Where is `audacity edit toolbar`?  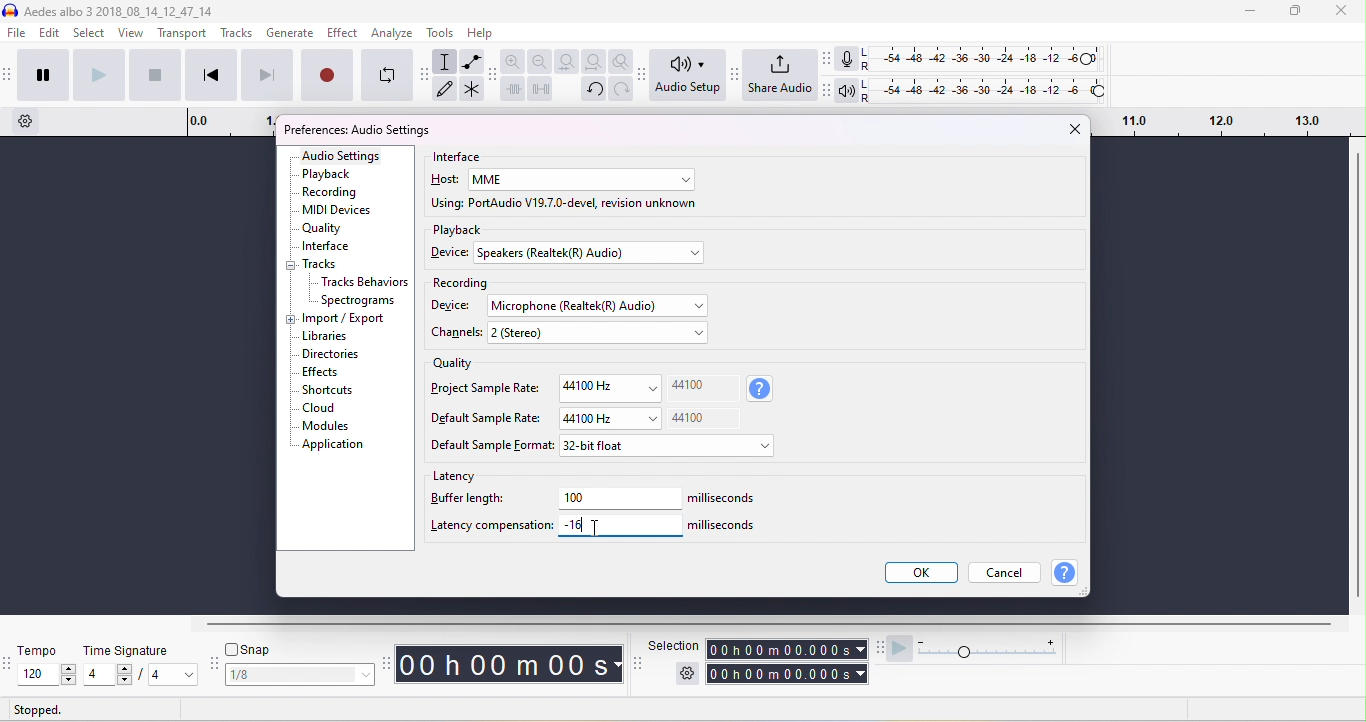 audacity edit toolbar is located at coordinates (492, 74).